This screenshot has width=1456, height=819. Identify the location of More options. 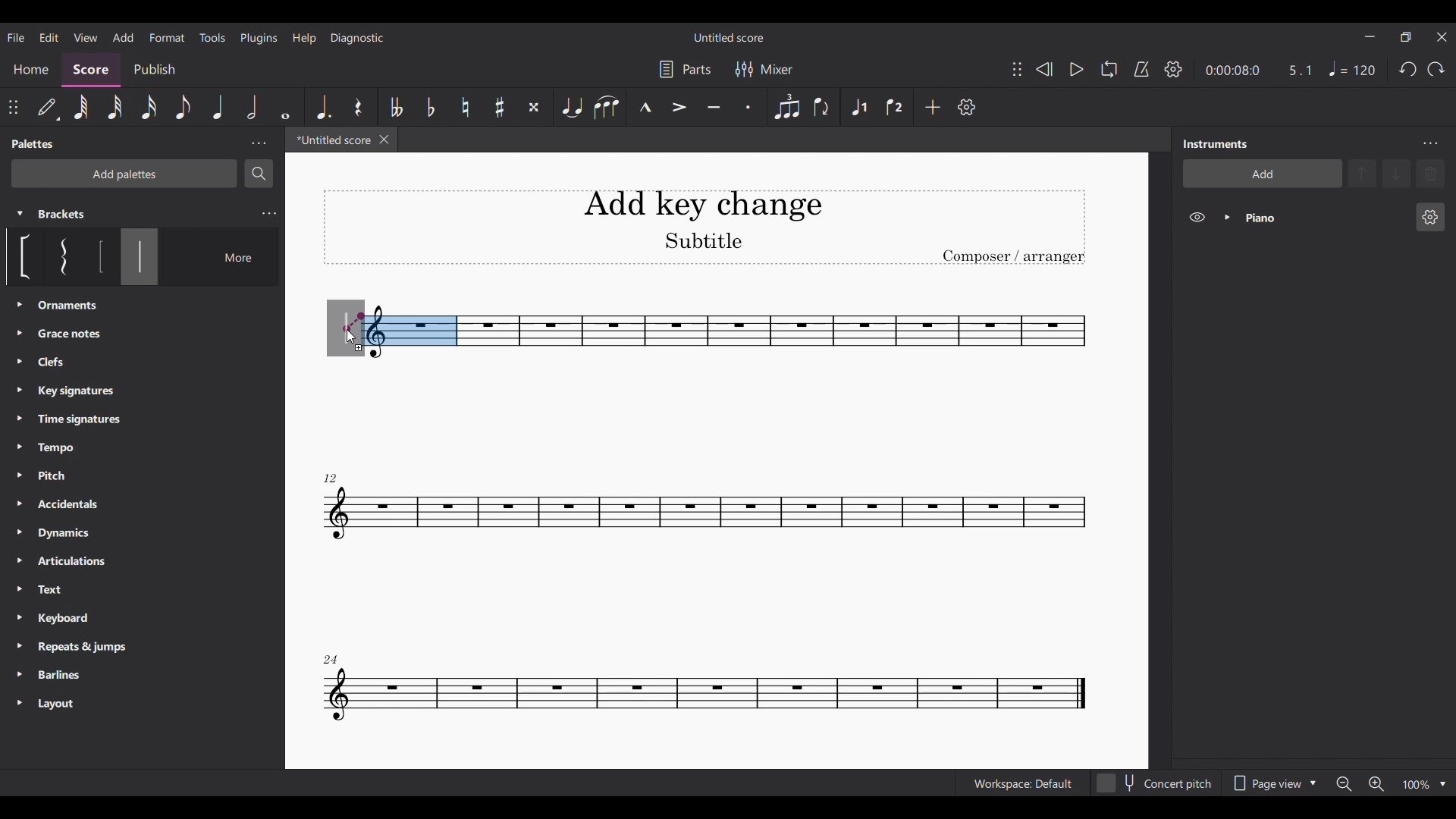
(228, 257).